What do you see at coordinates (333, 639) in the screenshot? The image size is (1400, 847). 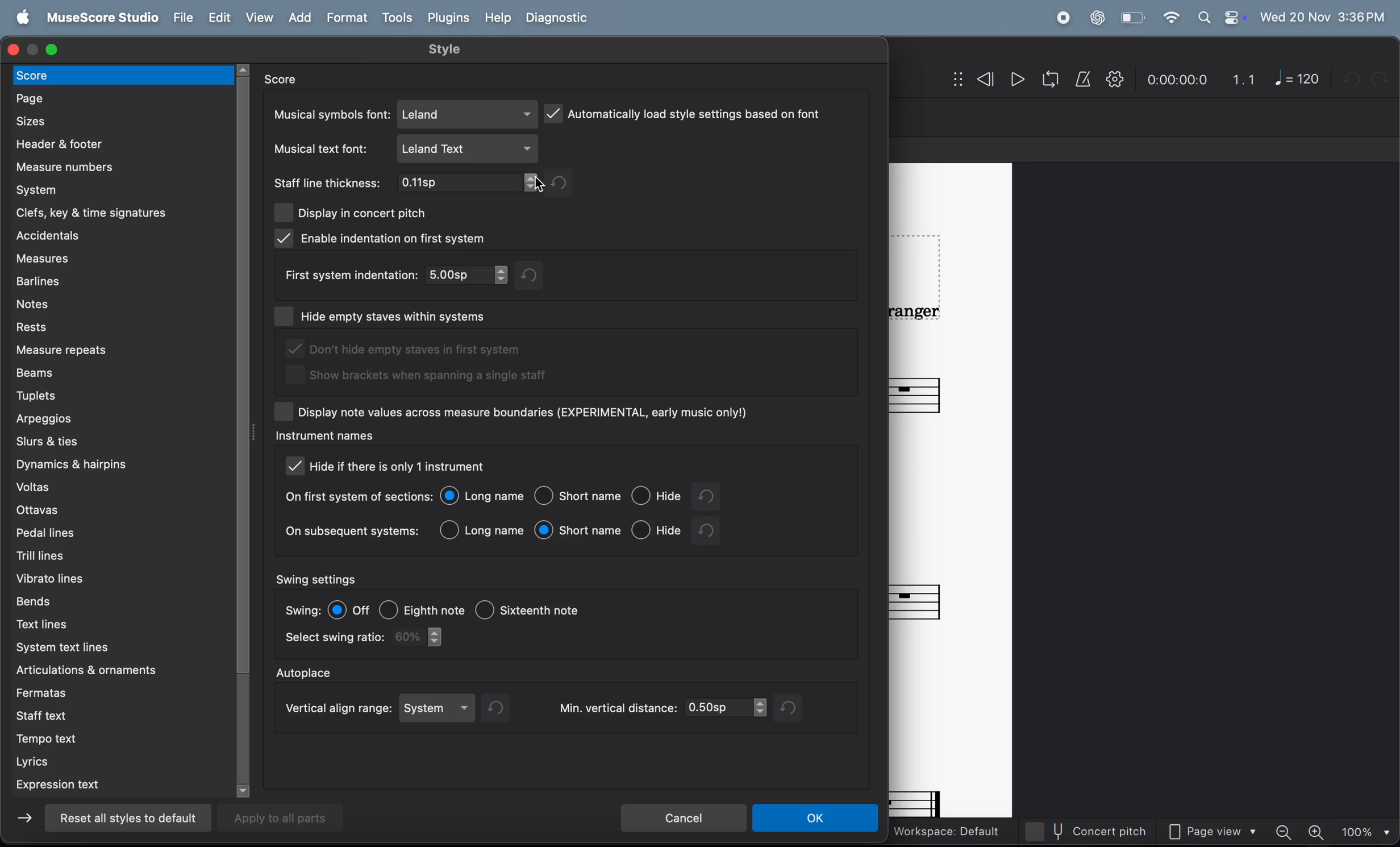 I see `select swing ratio` at bounding box center [333, 639].